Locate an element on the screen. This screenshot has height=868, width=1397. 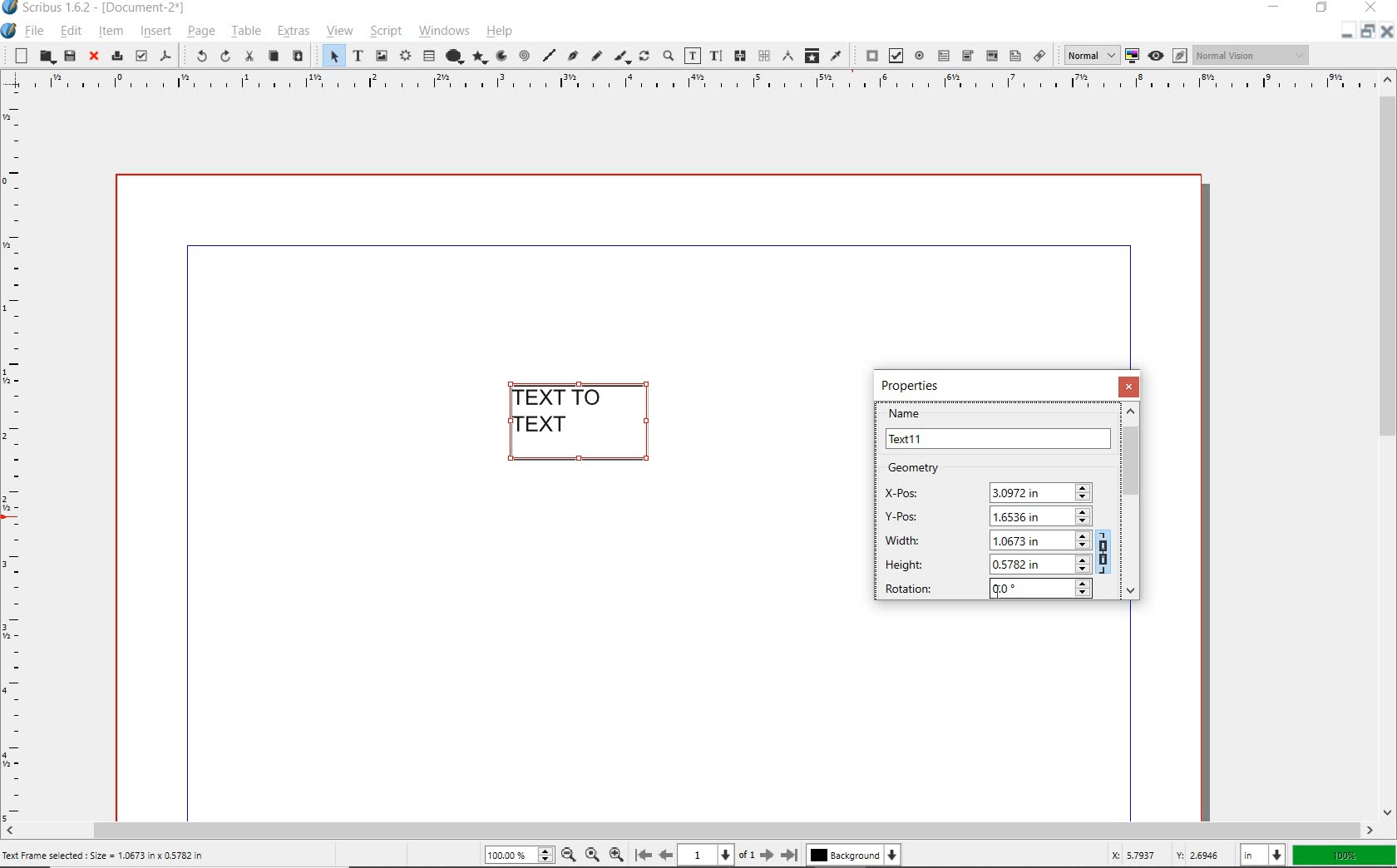
scrollbar is located at coordinates (689, 831).